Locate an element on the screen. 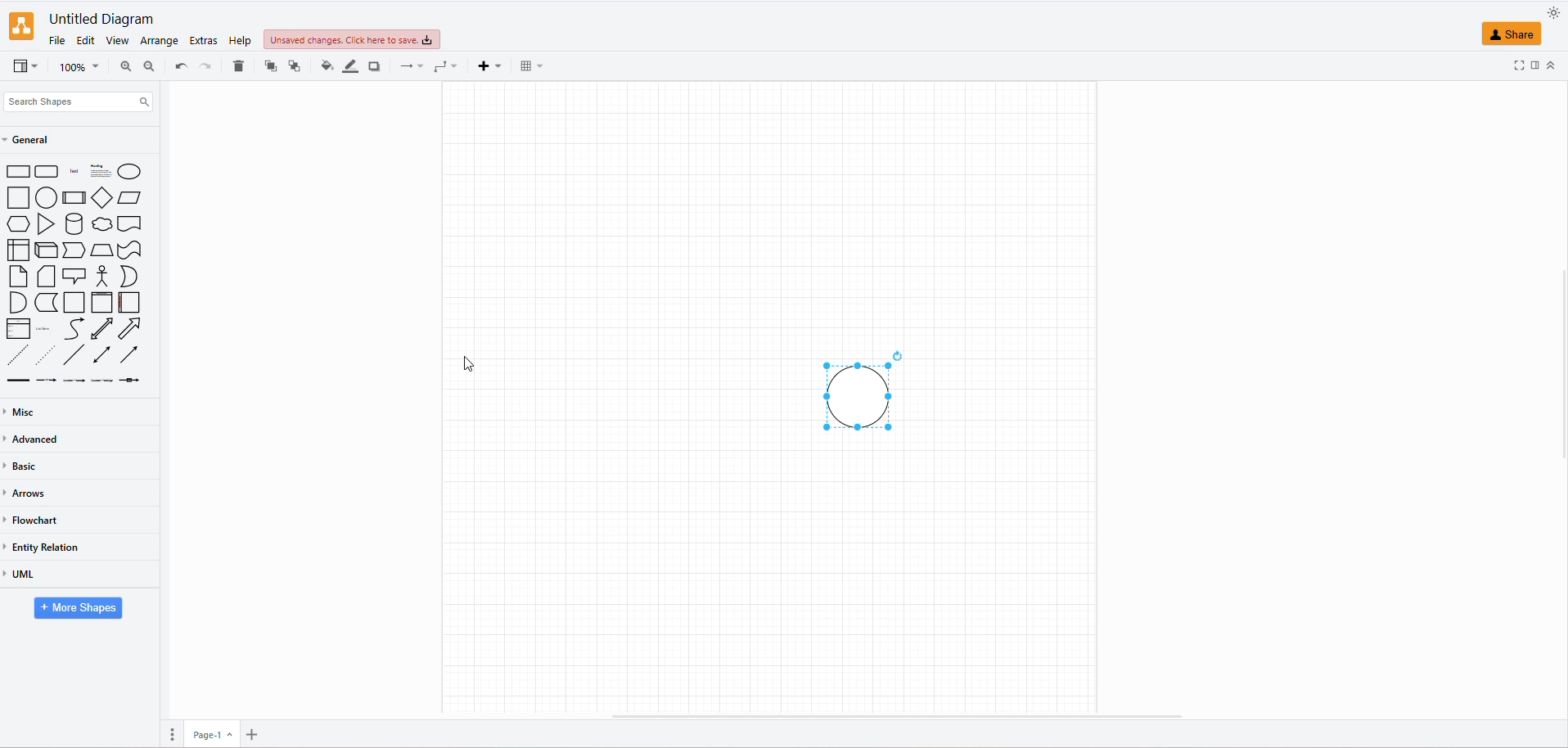 The width and height of the screenshot is (1568, 748). ZOOM IN is located at coordinates (122, 67).